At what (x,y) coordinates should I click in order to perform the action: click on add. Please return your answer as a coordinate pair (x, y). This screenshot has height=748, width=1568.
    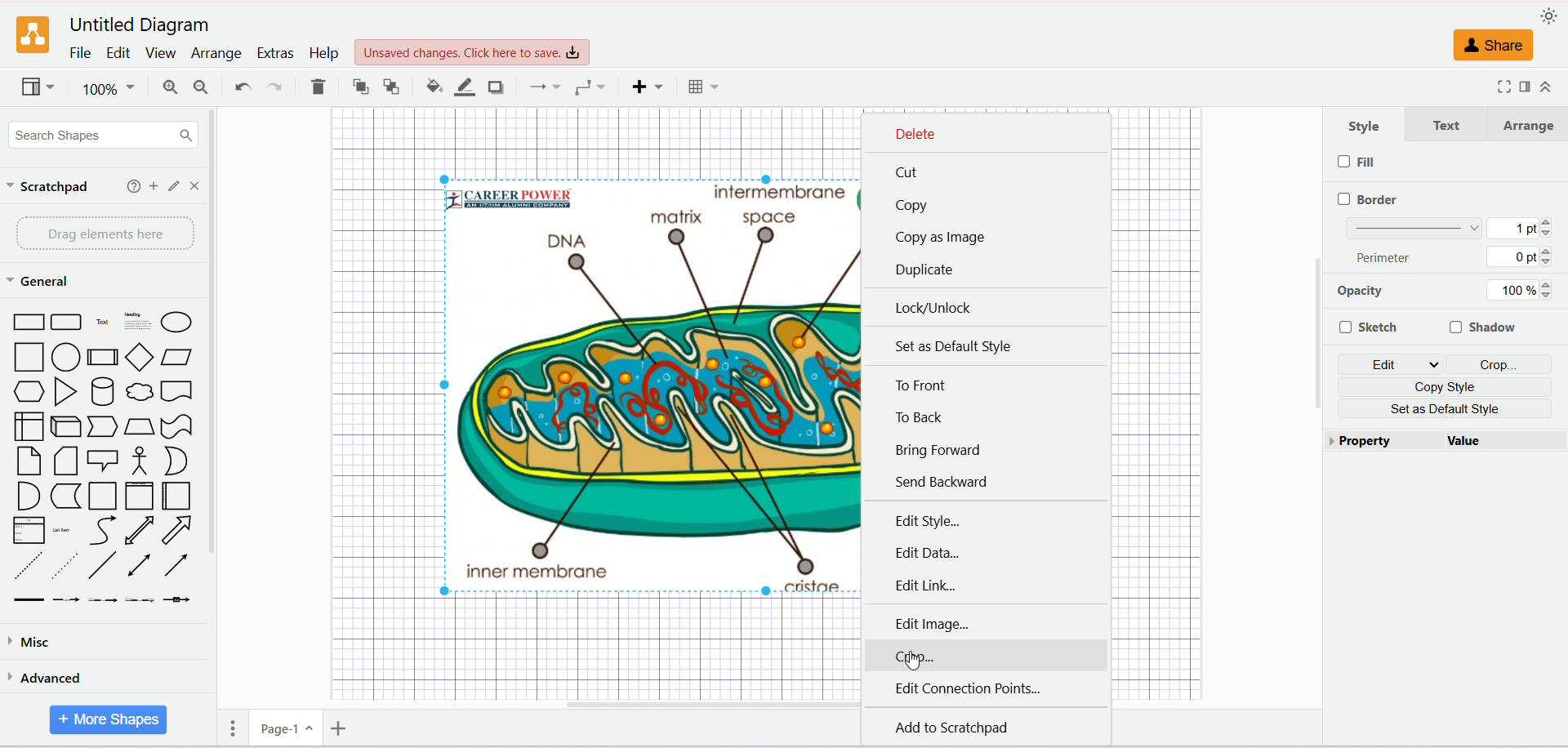
    Looking at the image, I should click on (154, 185).